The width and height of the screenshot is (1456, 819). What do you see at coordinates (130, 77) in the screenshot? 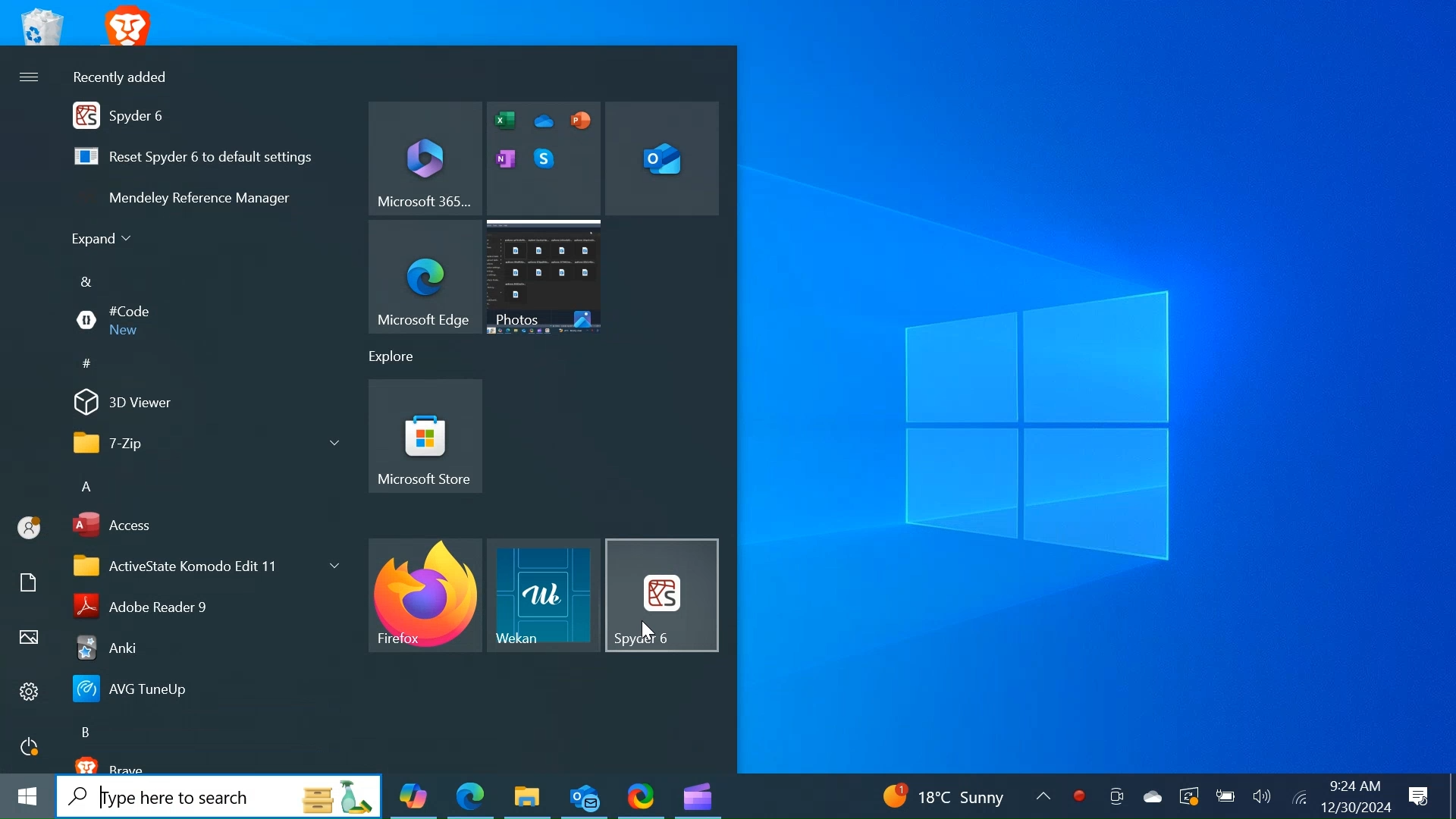
I see `Recently added` at bounding box center [130, 77].